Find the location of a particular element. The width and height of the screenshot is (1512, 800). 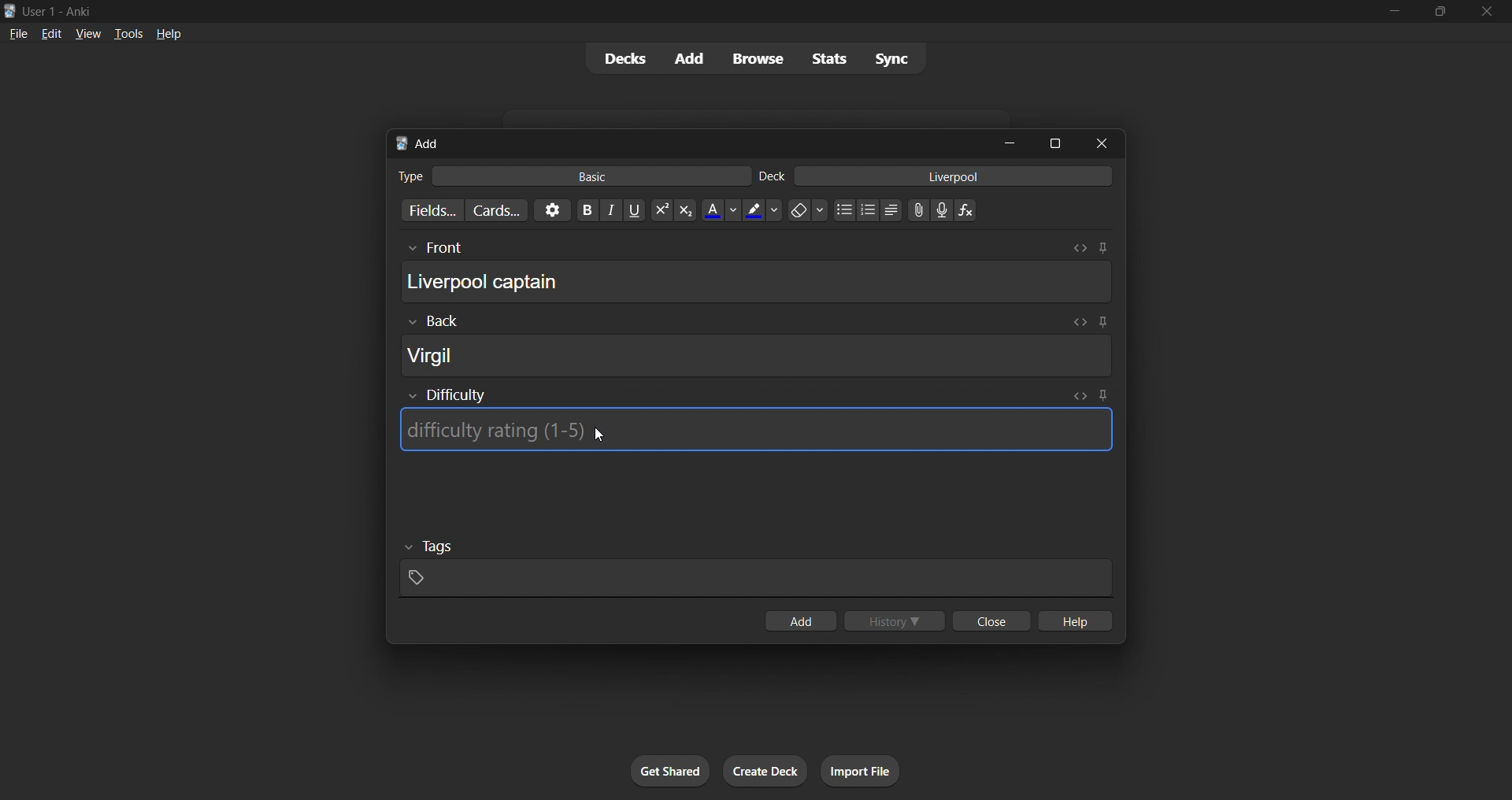

Unordered list is located at coordinates (845, 209).